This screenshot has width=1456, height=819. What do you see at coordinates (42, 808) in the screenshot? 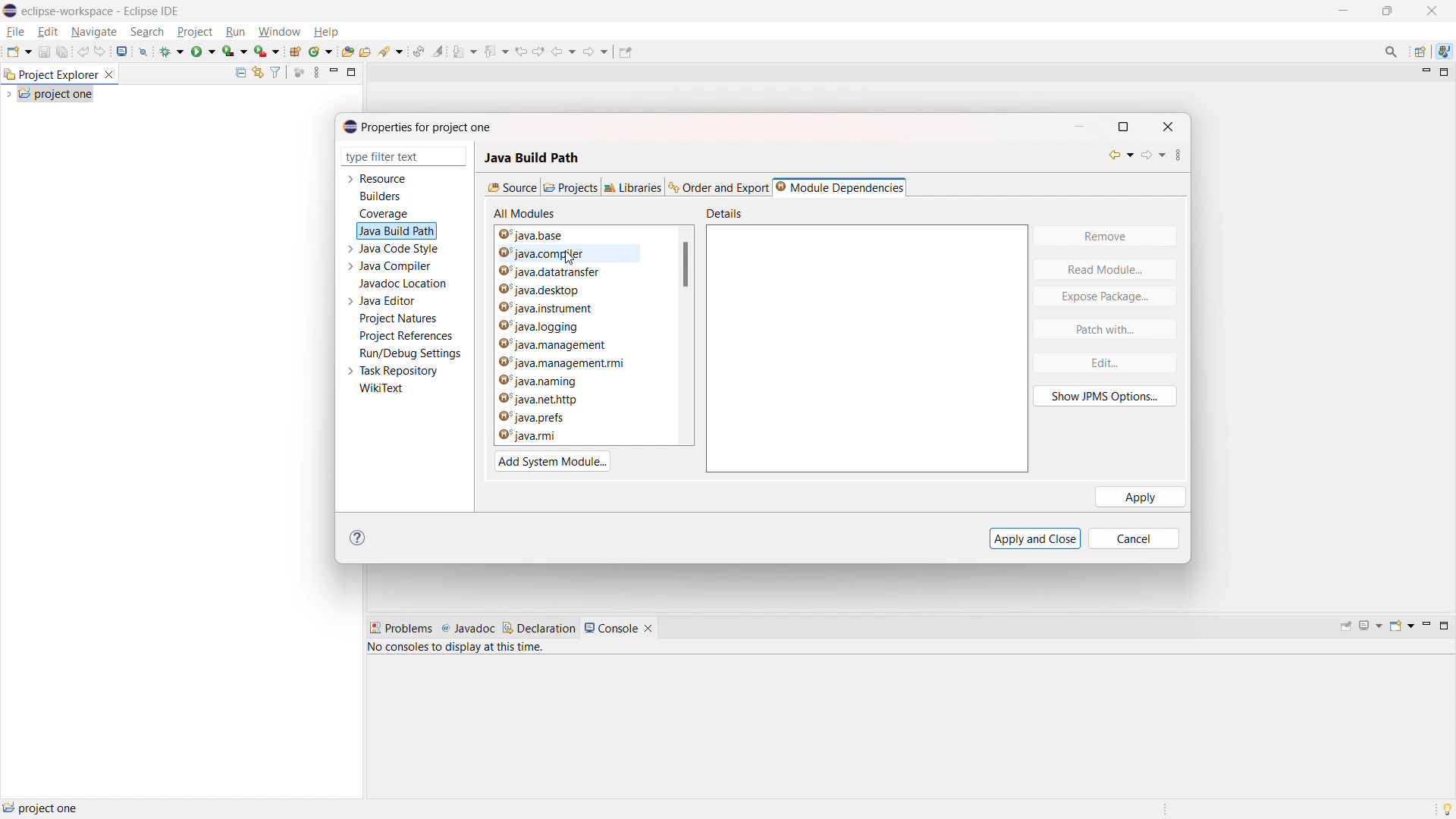
I see `project one` at bounding box center [42, 808].